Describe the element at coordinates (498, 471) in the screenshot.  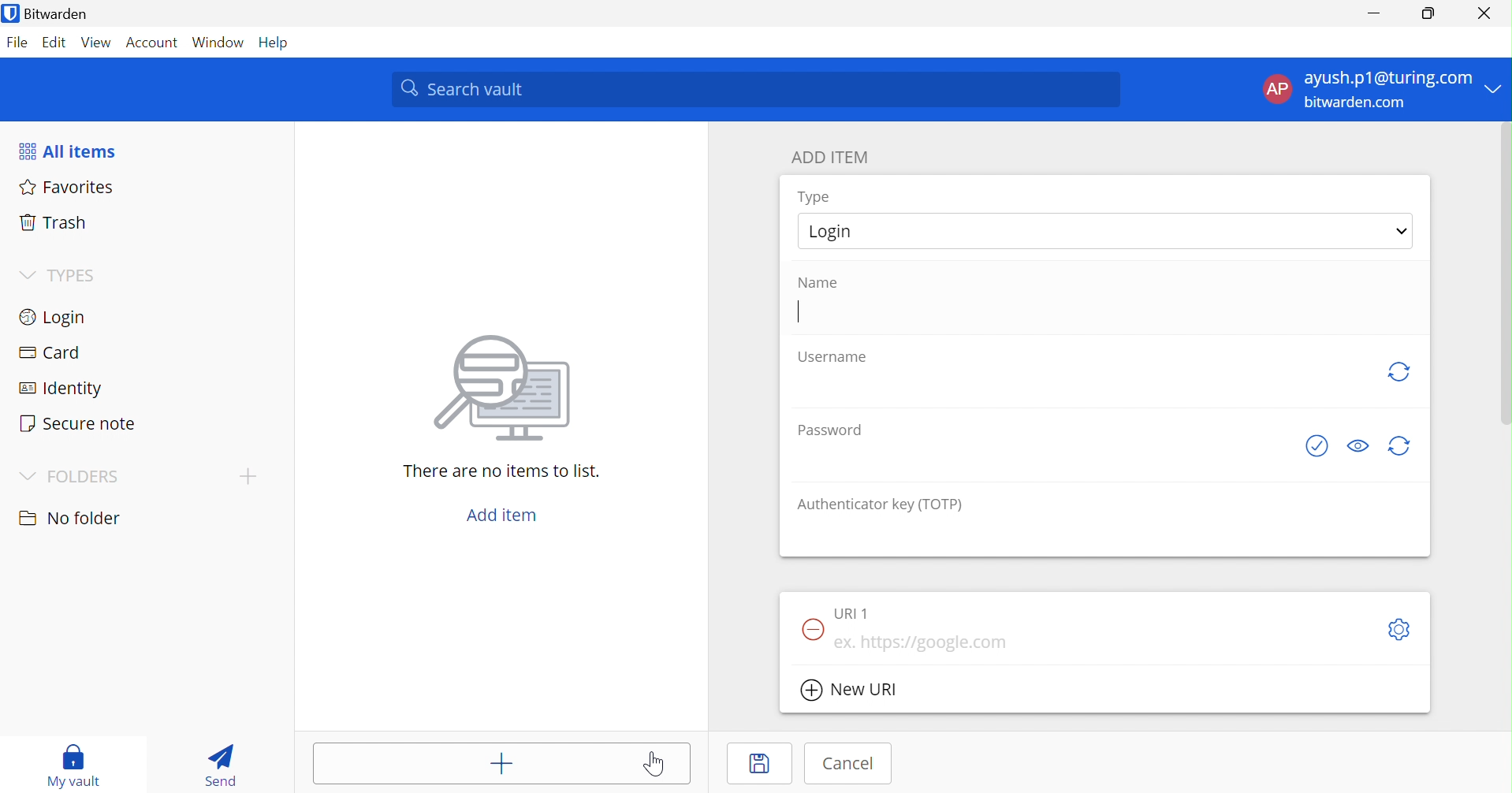
I see `There are no items to list.` at that location.